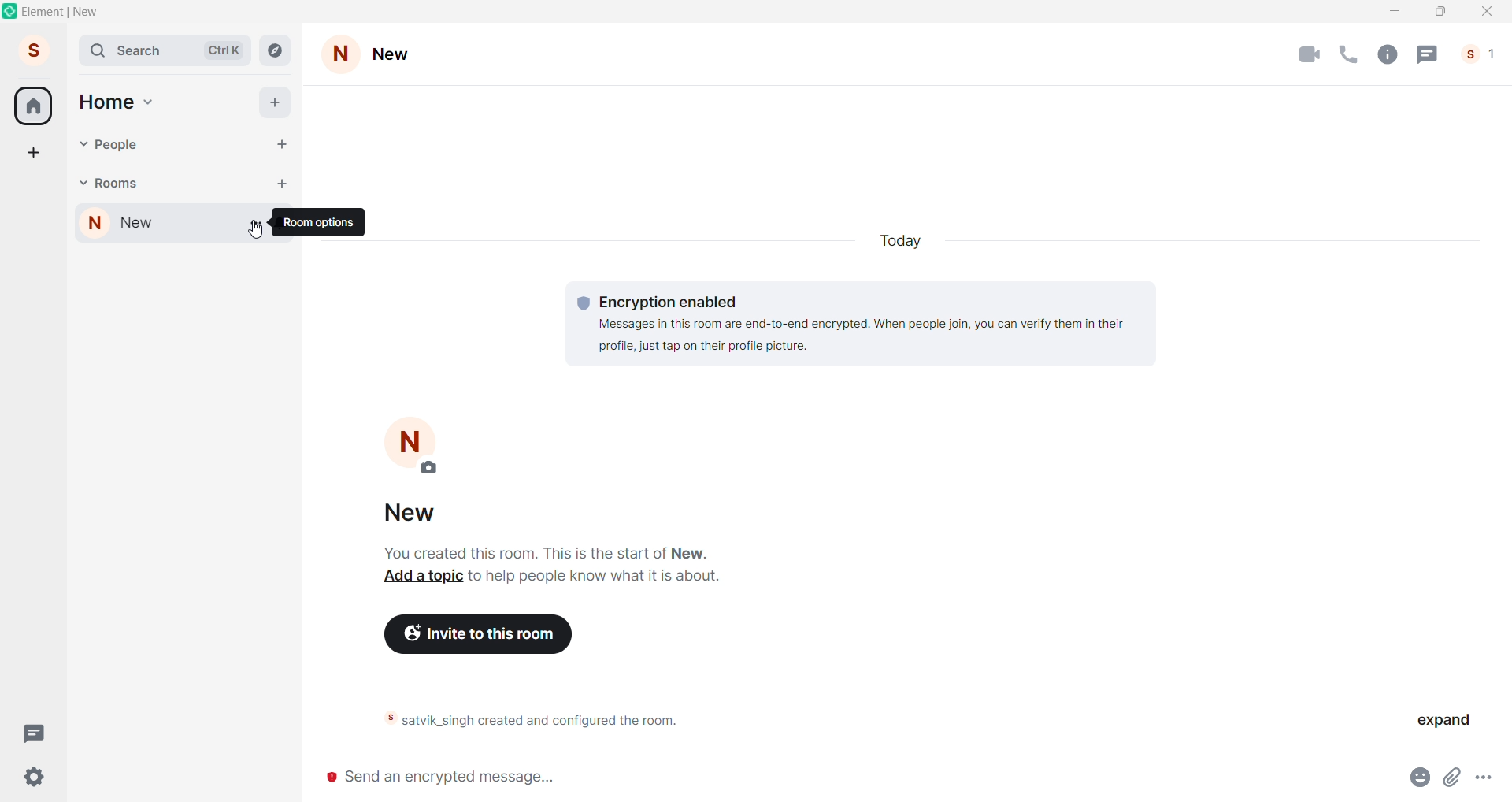 The image size is (1512, 802). What do you see at coordinates (81, 144) in the screenshot?
I see `Drop Down` at bounding box center [81, 144].